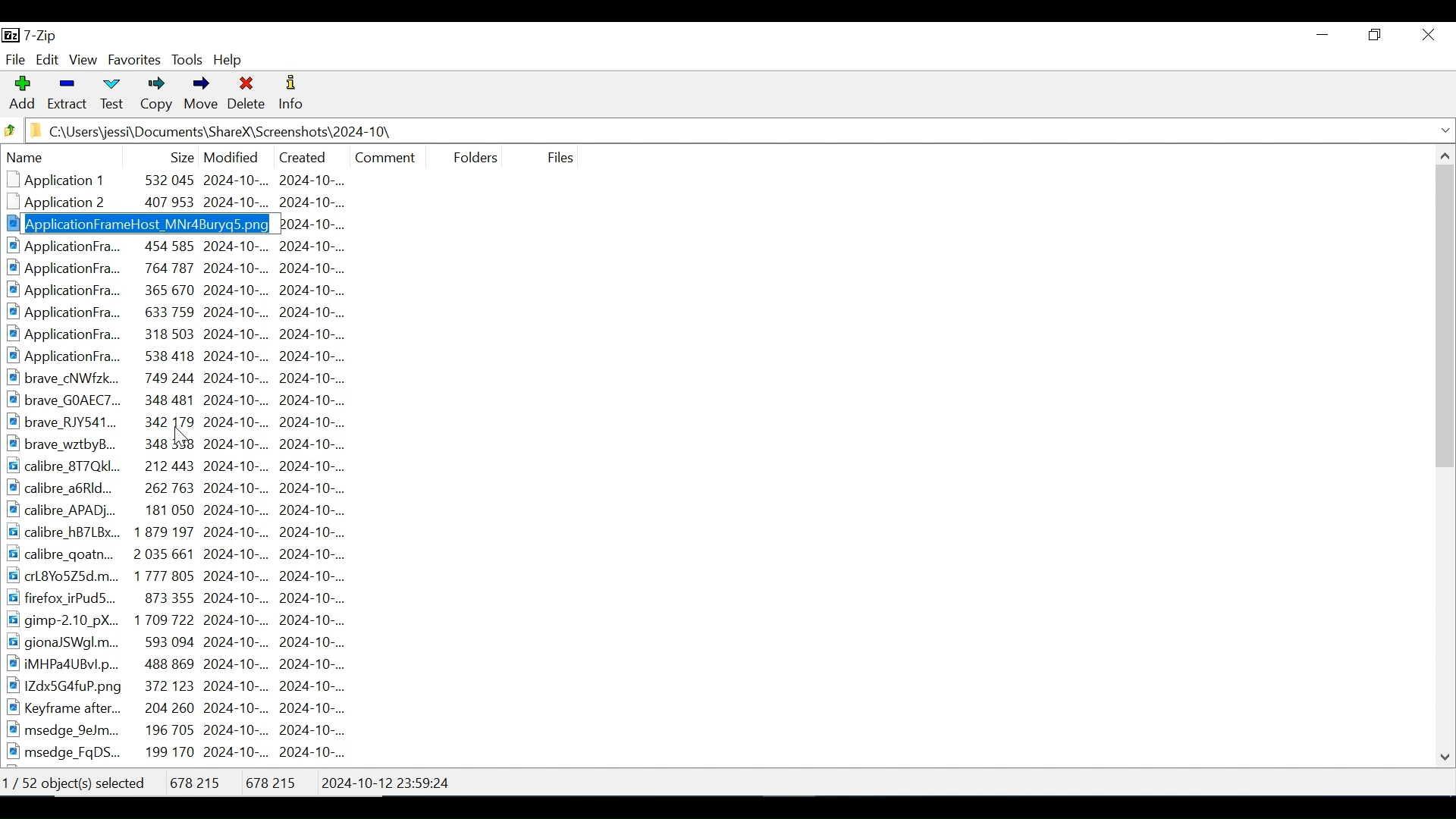 This screenshot has width=1456, height=819. Describe the element at coordinates (1444, 130) in the screenshot. I see `Expand` at that location.